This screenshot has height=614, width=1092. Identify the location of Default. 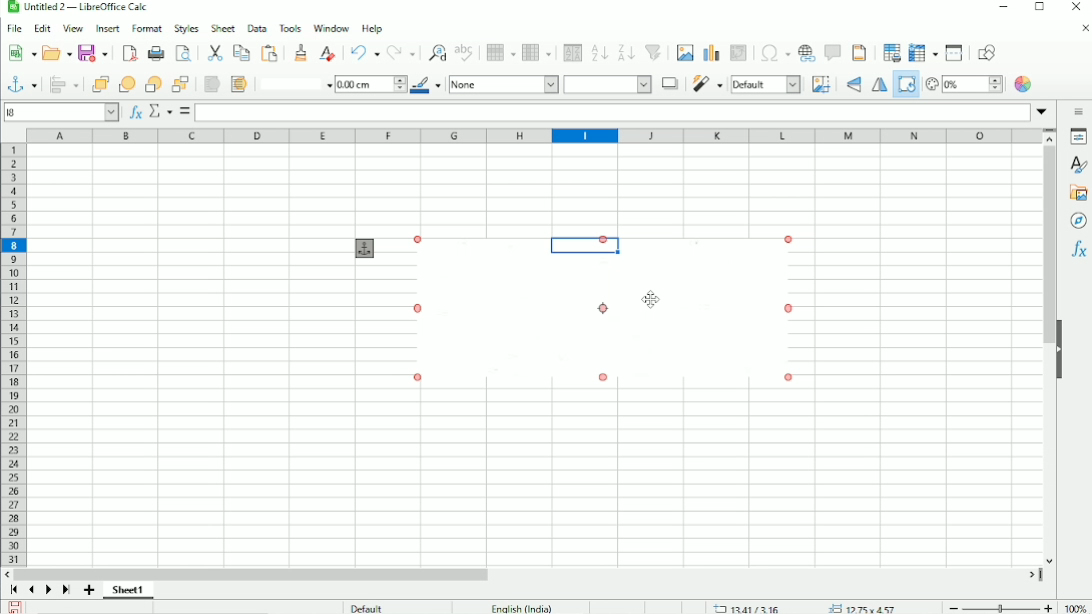
(767, 85).